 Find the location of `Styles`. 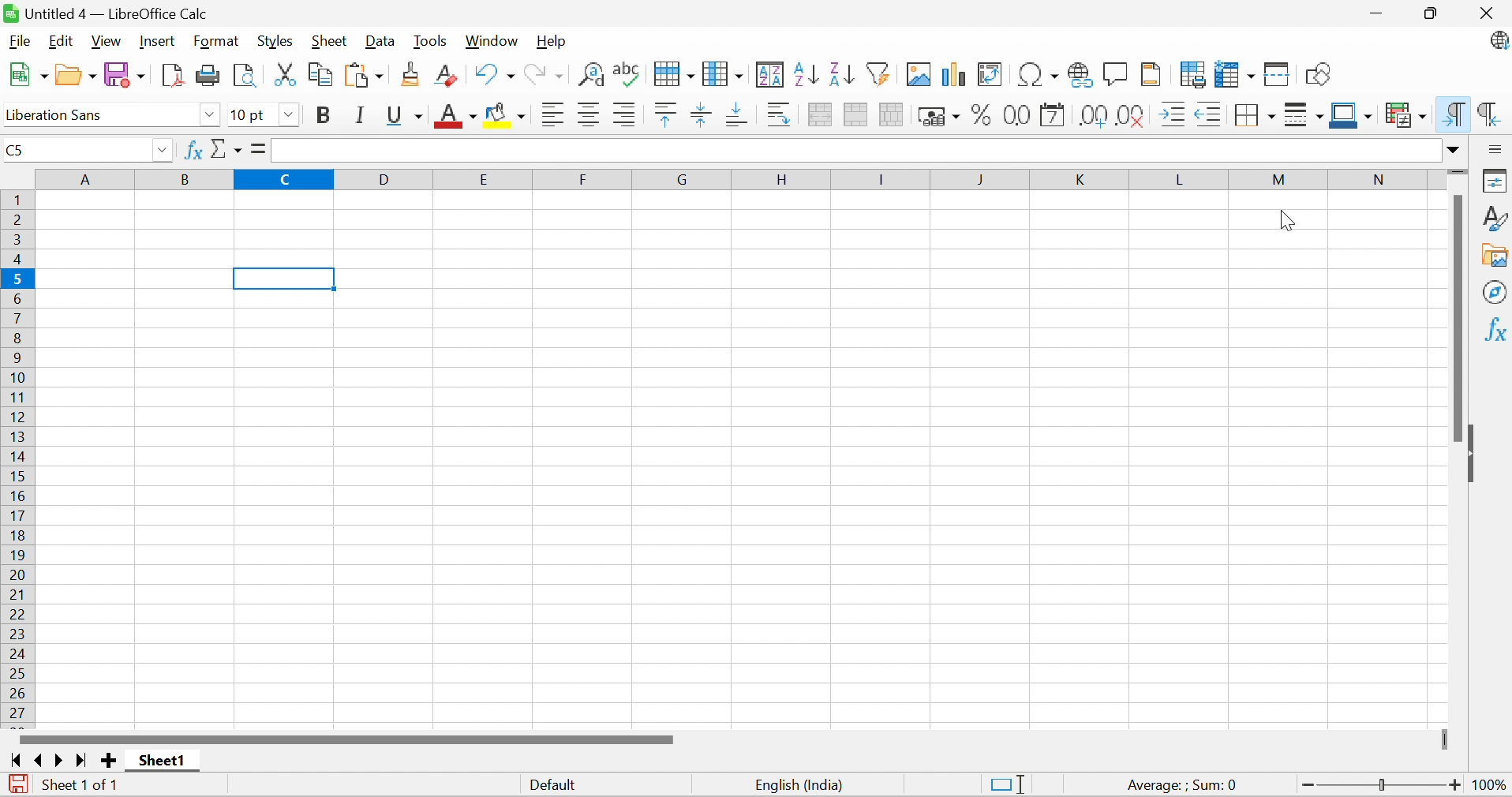

Styles is located at coordinates (1496, 217).